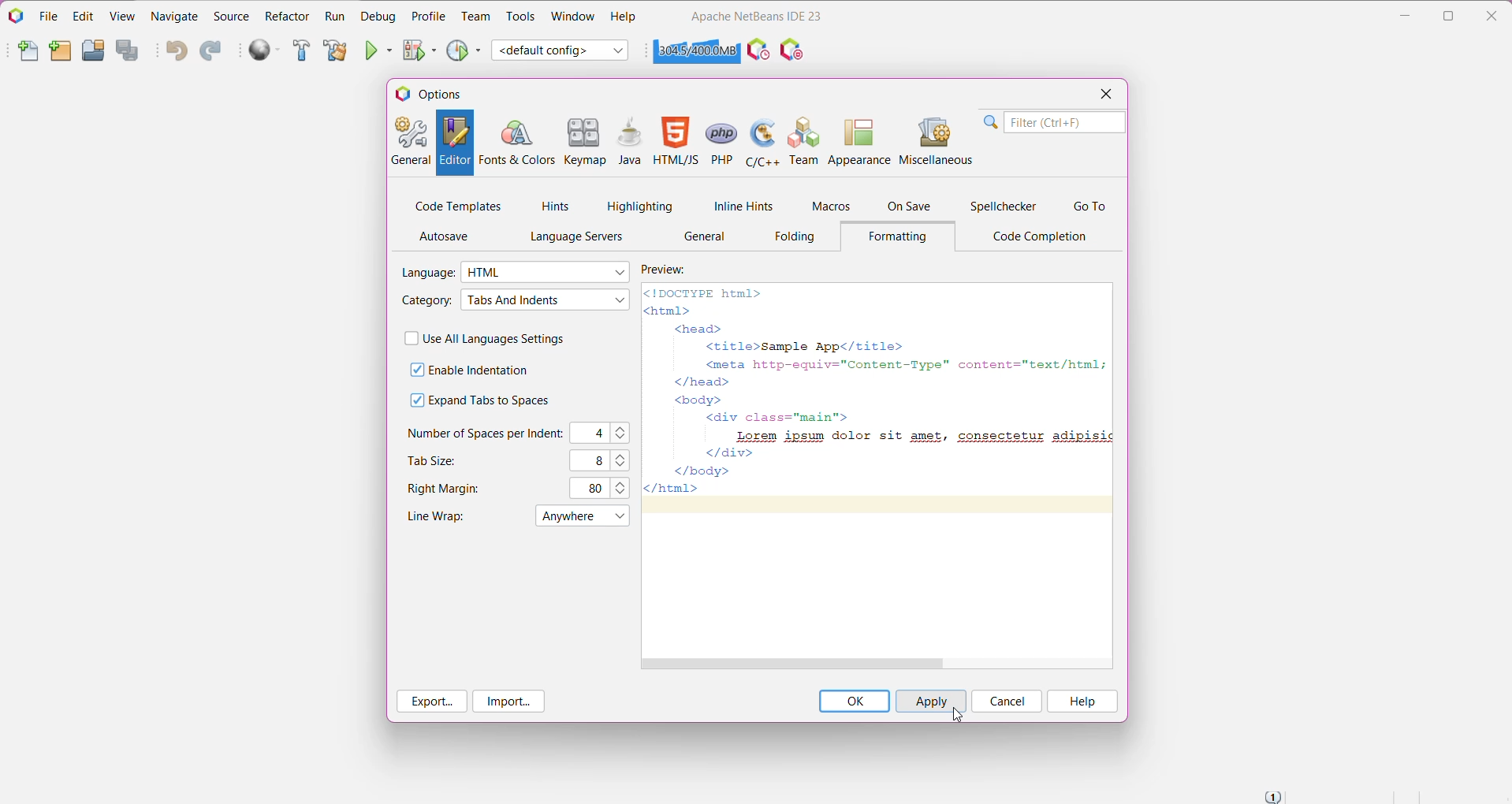 The height and width of the screenshot is (804, 1512). What do you see at coordinates (1089, 207) in the screenshot?
I see `Go To` at bounding box center [1089, 207].